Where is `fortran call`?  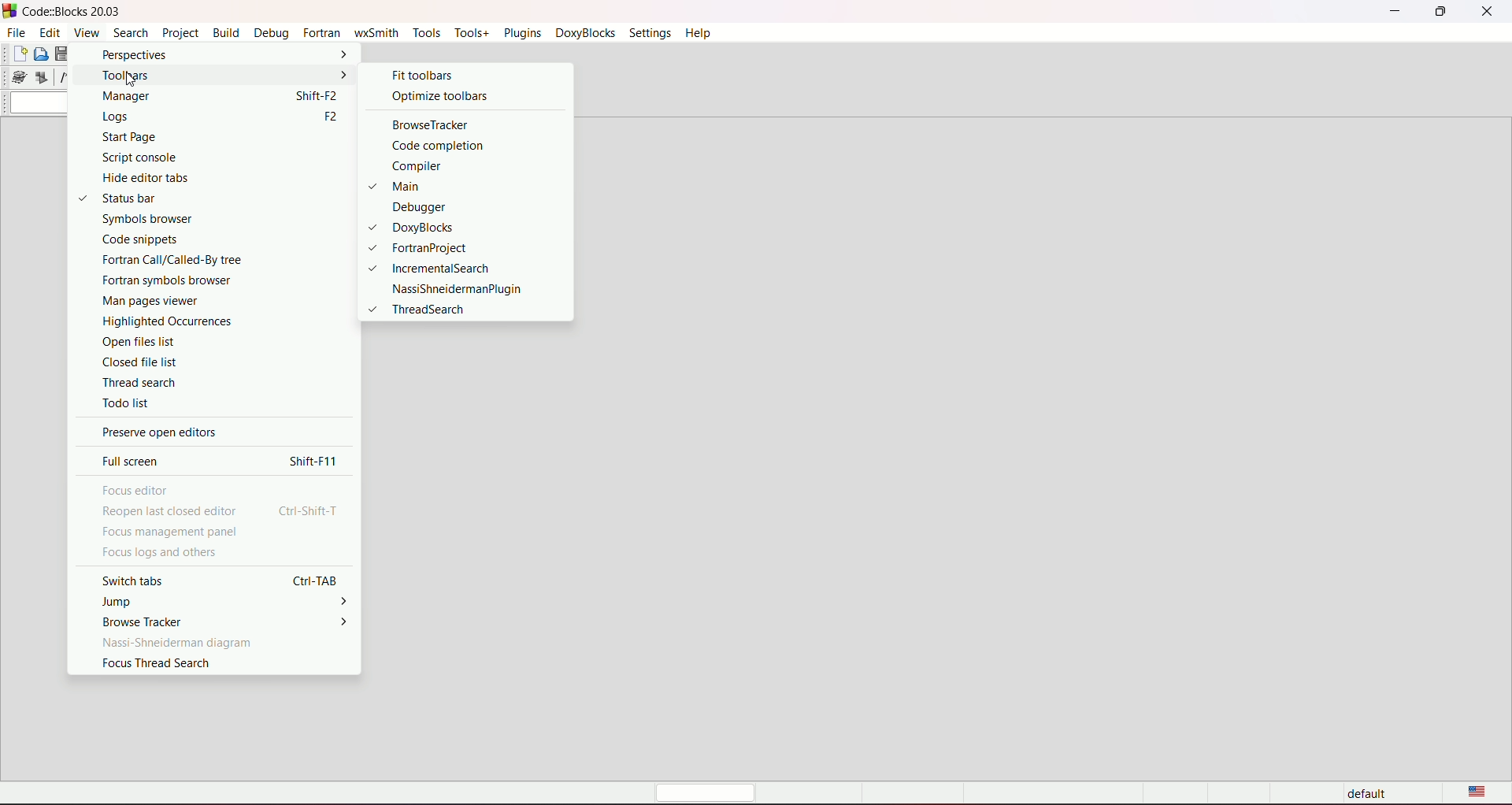
fortran call is located at coordinates (201, 259).